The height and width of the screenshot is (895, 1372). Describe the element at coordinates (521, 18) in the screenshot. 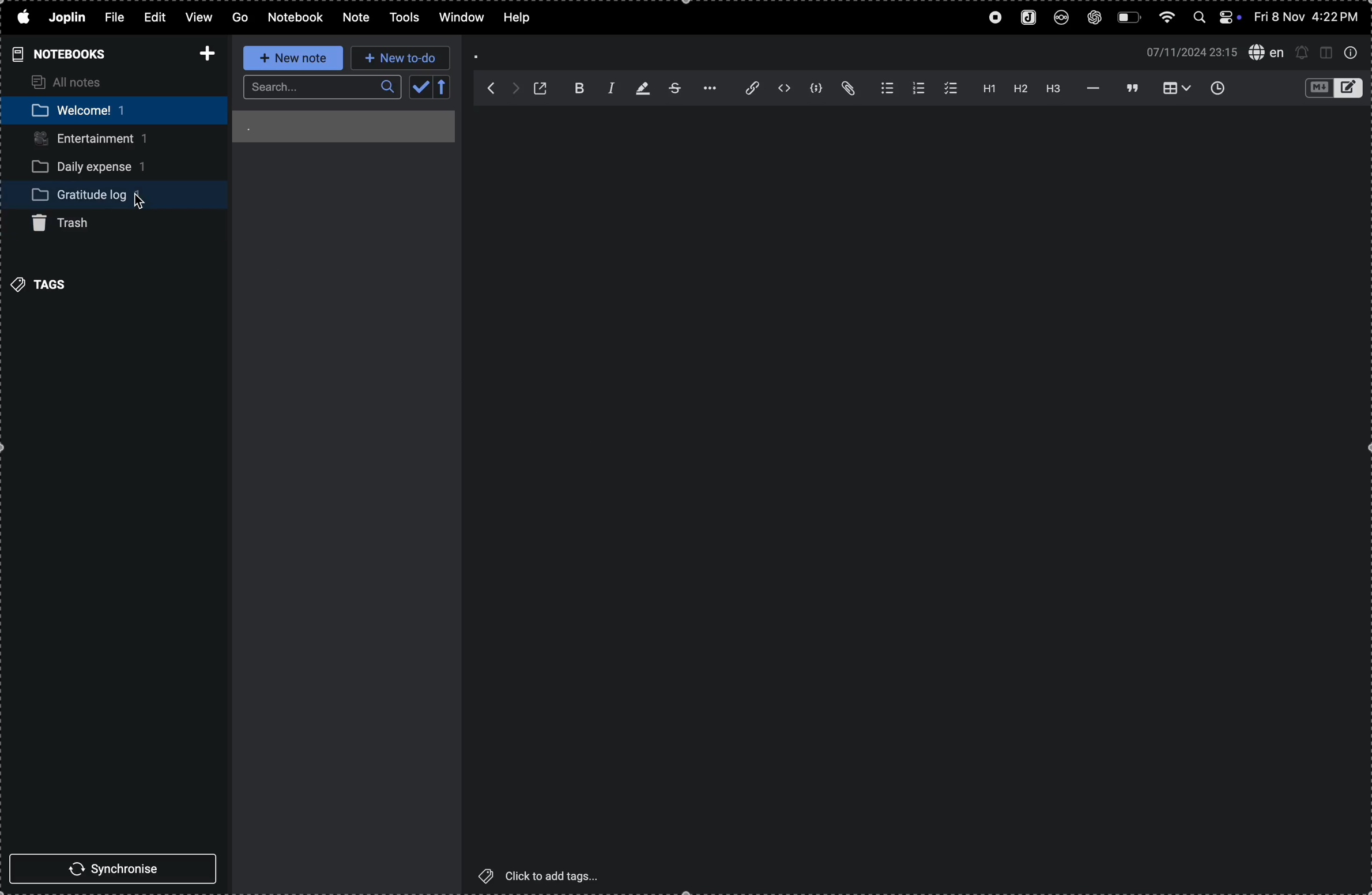

I see `help` at that location.